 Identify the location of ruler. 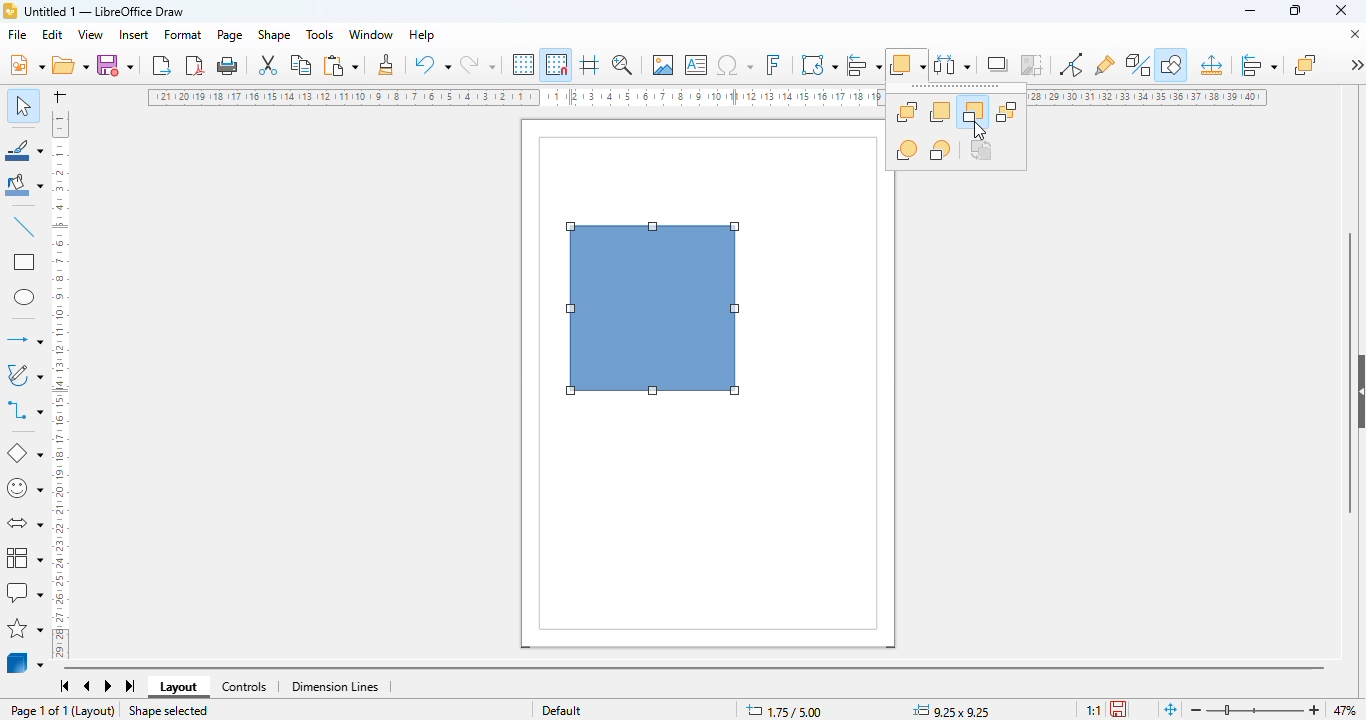
(515, 97).